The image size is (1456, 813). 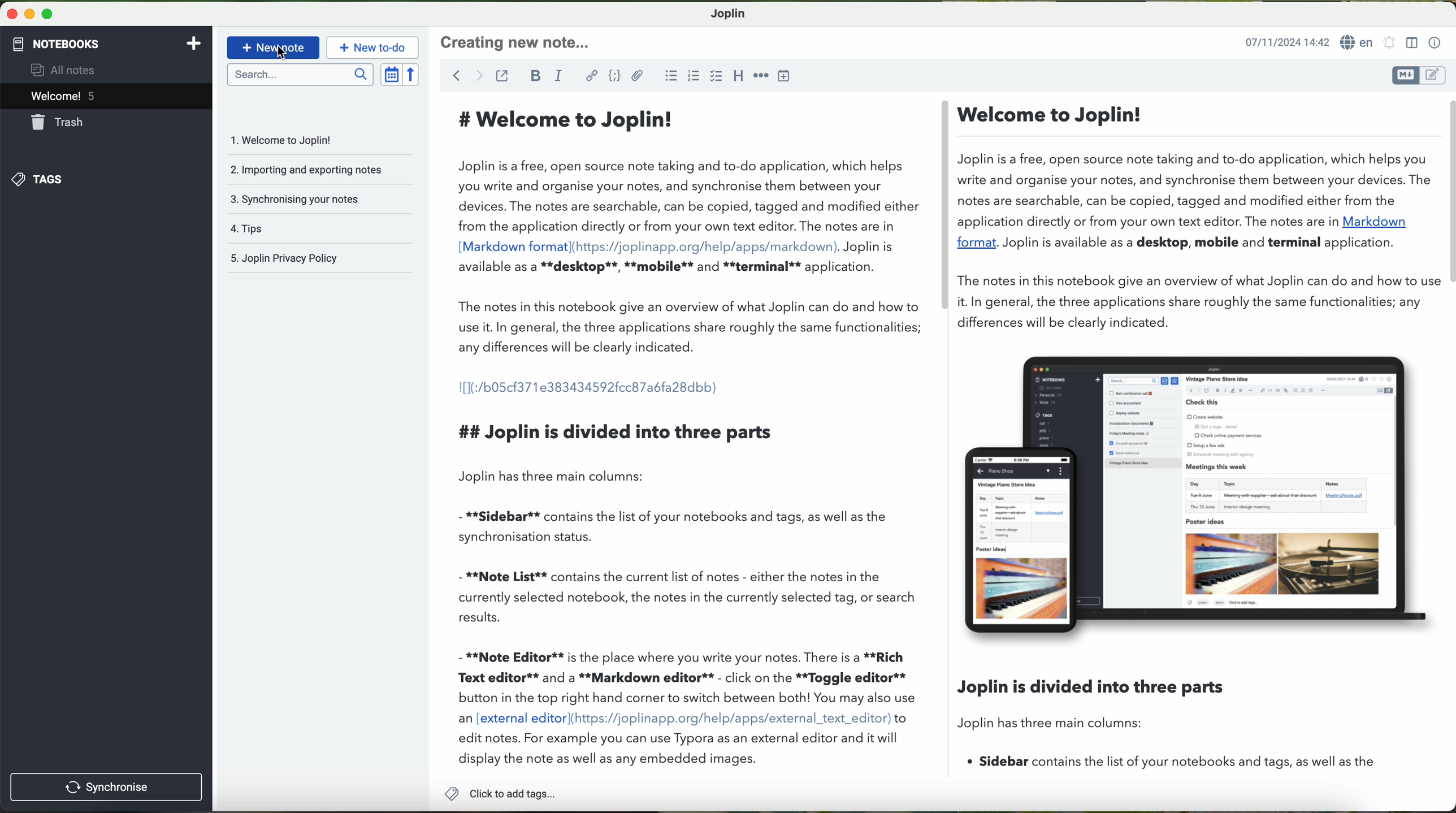 I want to click on tags, so click(x=106, y=179).